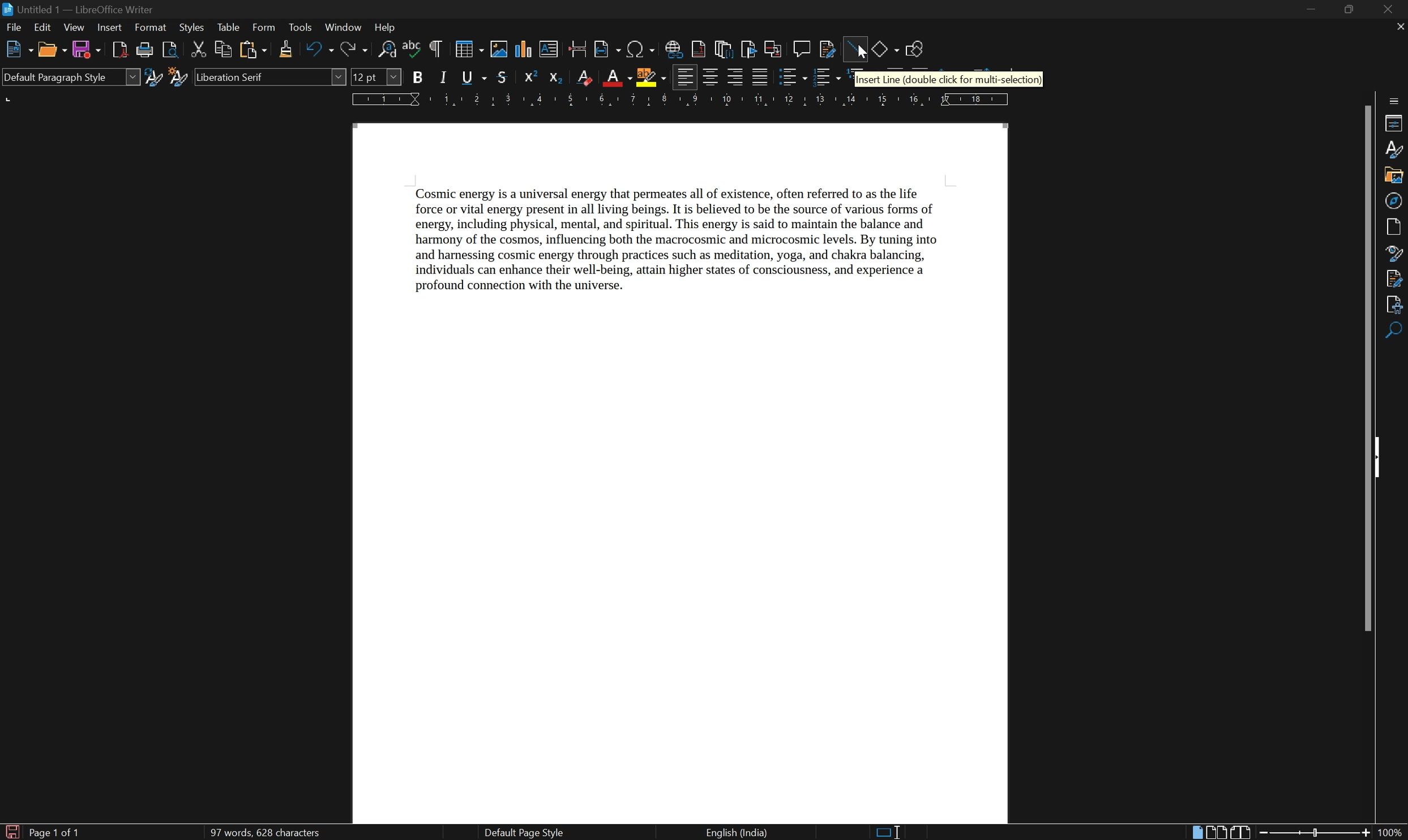 The image size is (1408, 840). I want to click on form, so click(265, 27).